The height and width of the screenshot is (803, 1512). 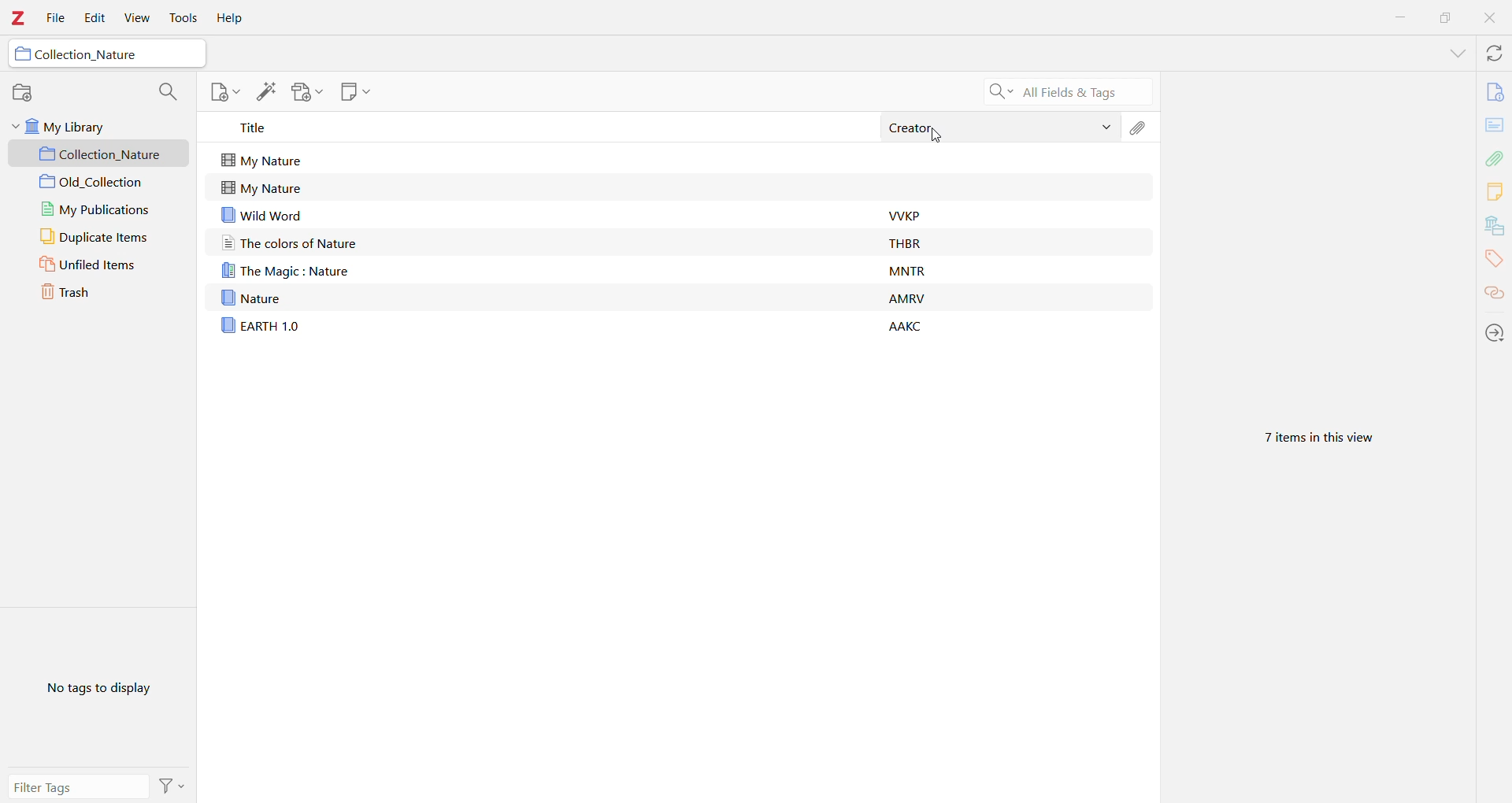 I want to click on Attachments, so click(x=1140, y=128).